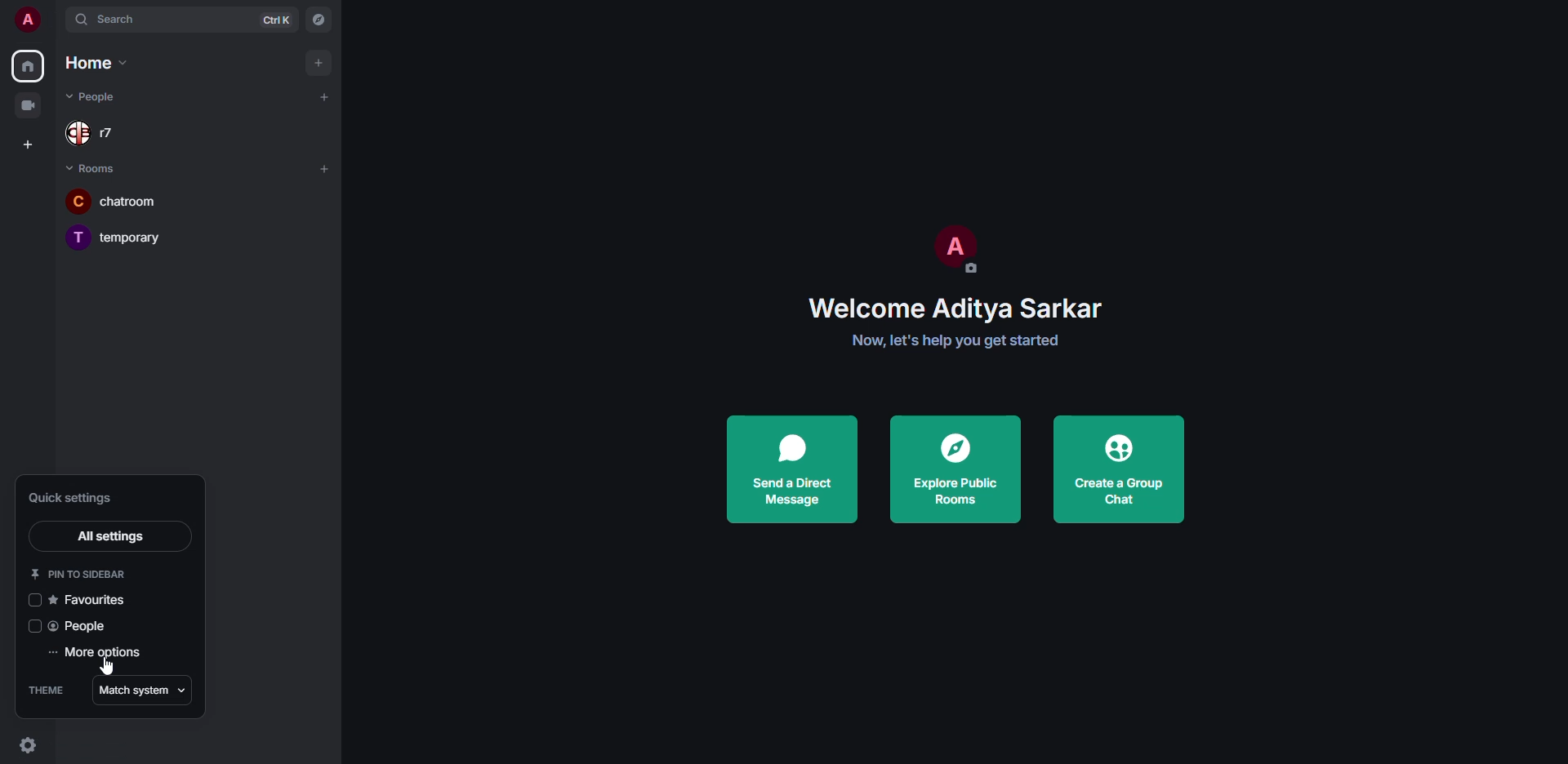  What do you see at coordinates (96, 169) in the screenshot?
I see `rooms` at bounding box center [96, 169].